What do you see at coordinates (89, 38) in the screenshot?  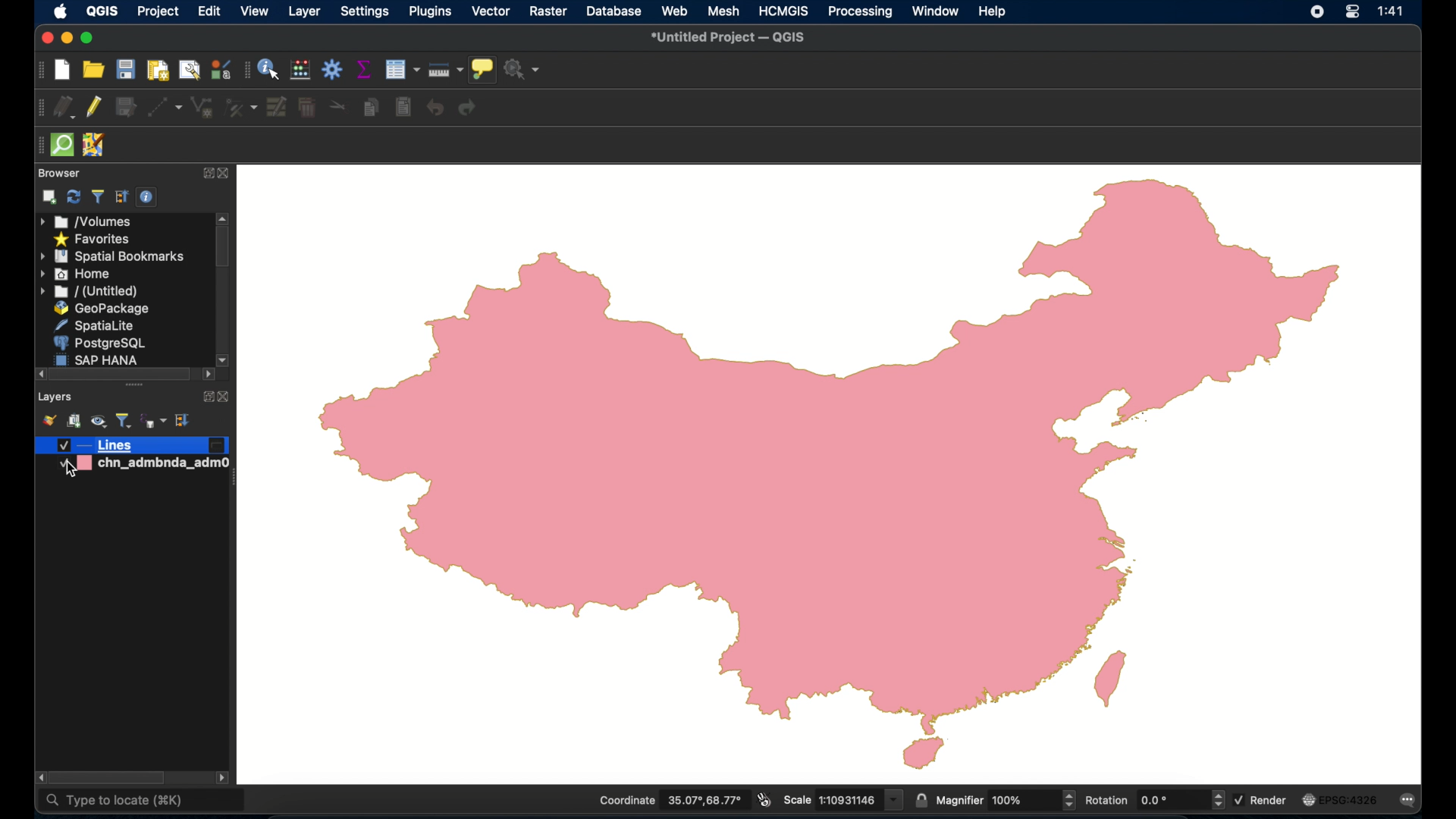 I see `maximize` at bounding box center [89, 38].